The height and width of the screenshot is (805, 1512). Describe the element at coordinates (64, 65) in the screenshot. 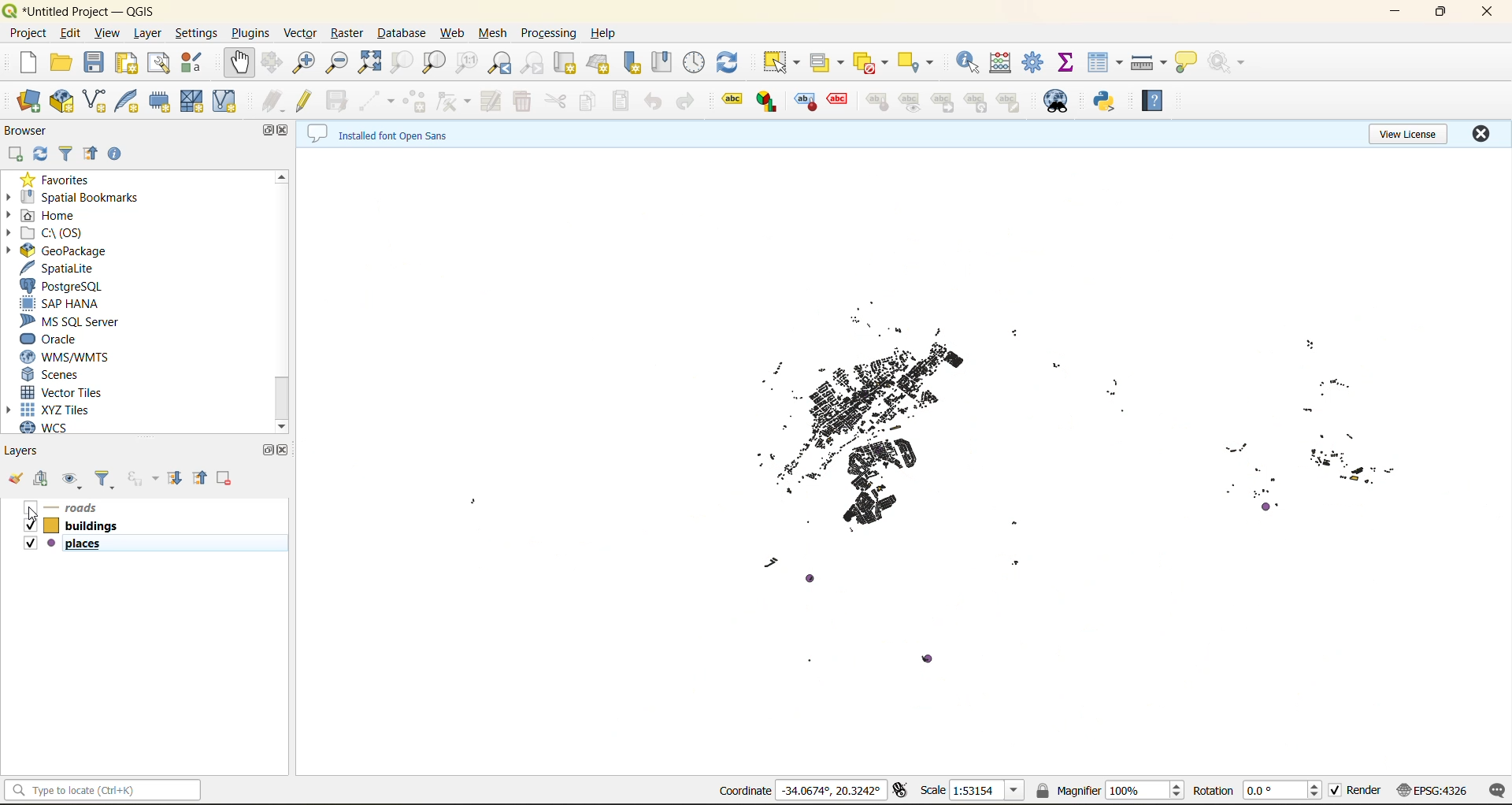

I see `open` at that location.